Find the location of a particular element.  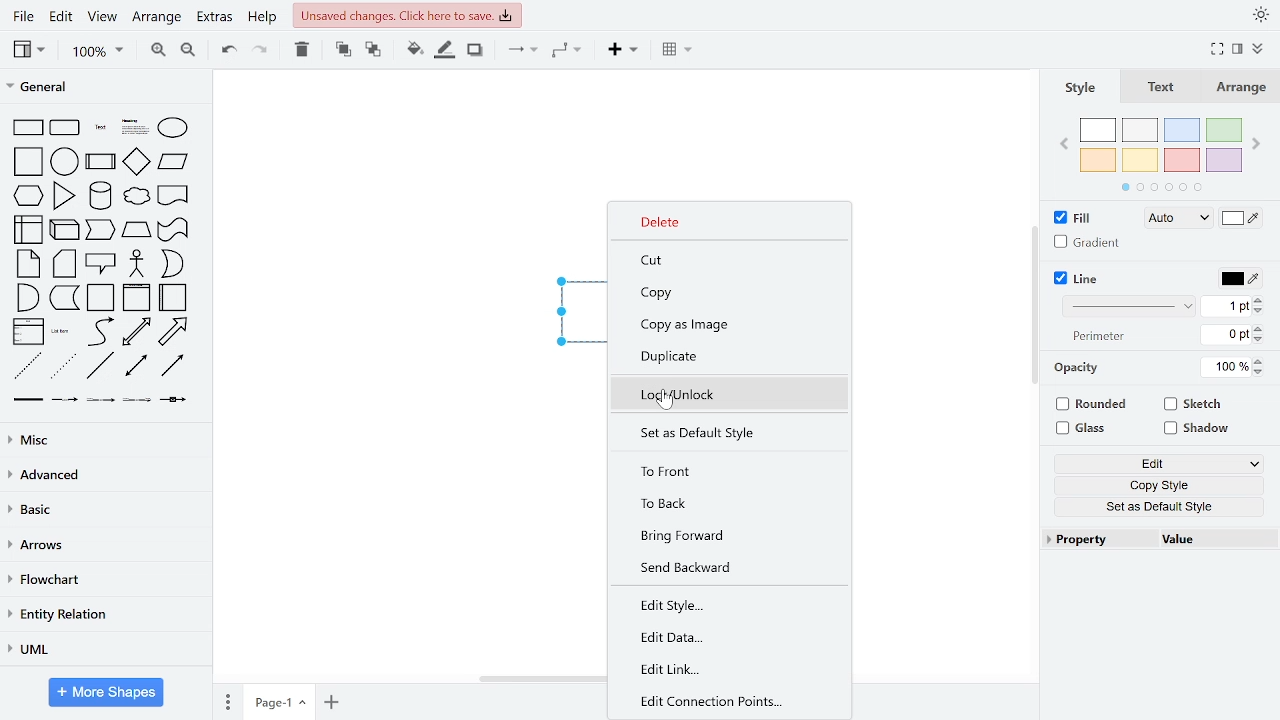

green is located at coordinates (1226, 130).